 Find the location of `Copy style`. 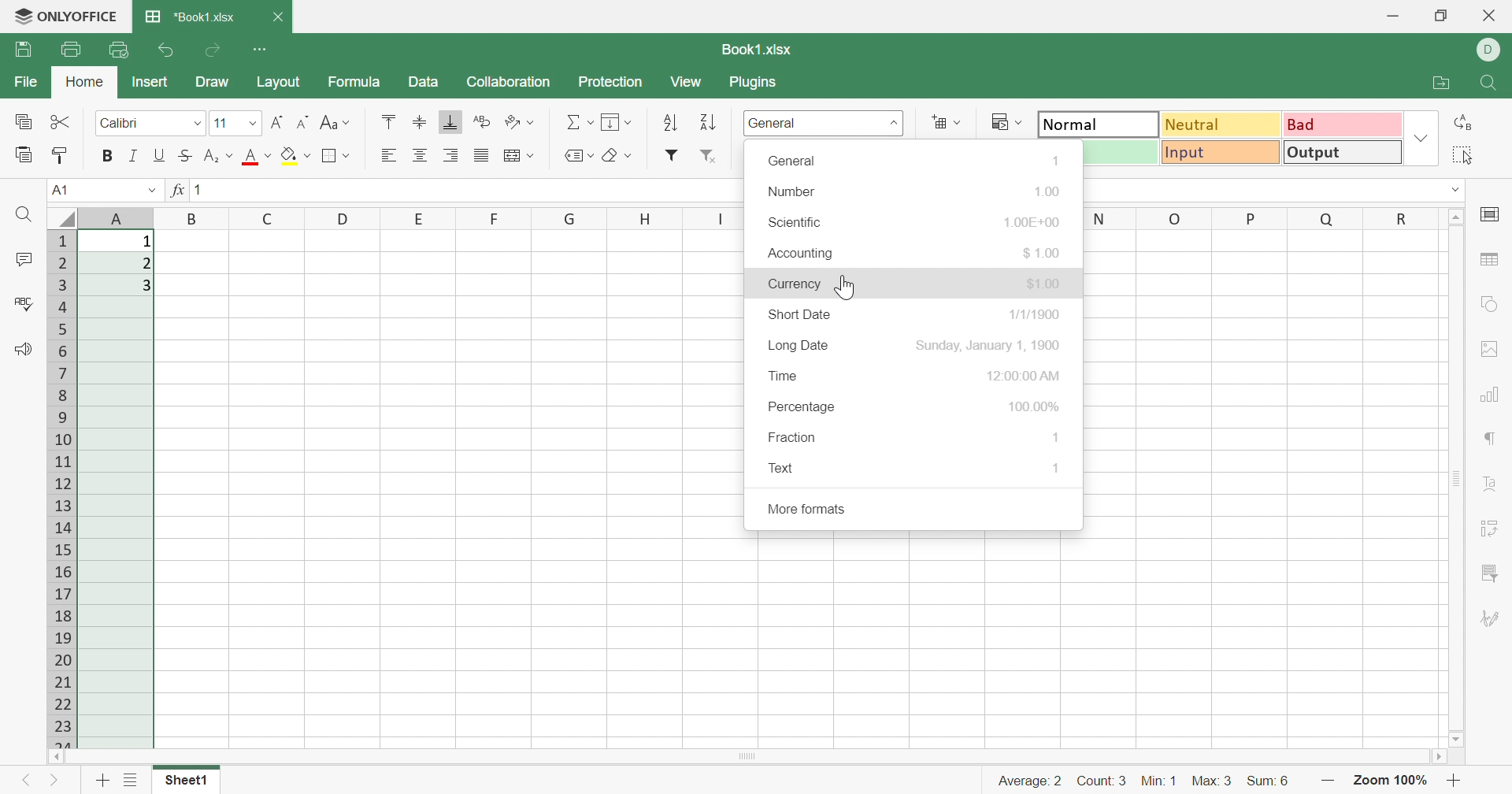

Copy style is located at coordinates (60, 155).